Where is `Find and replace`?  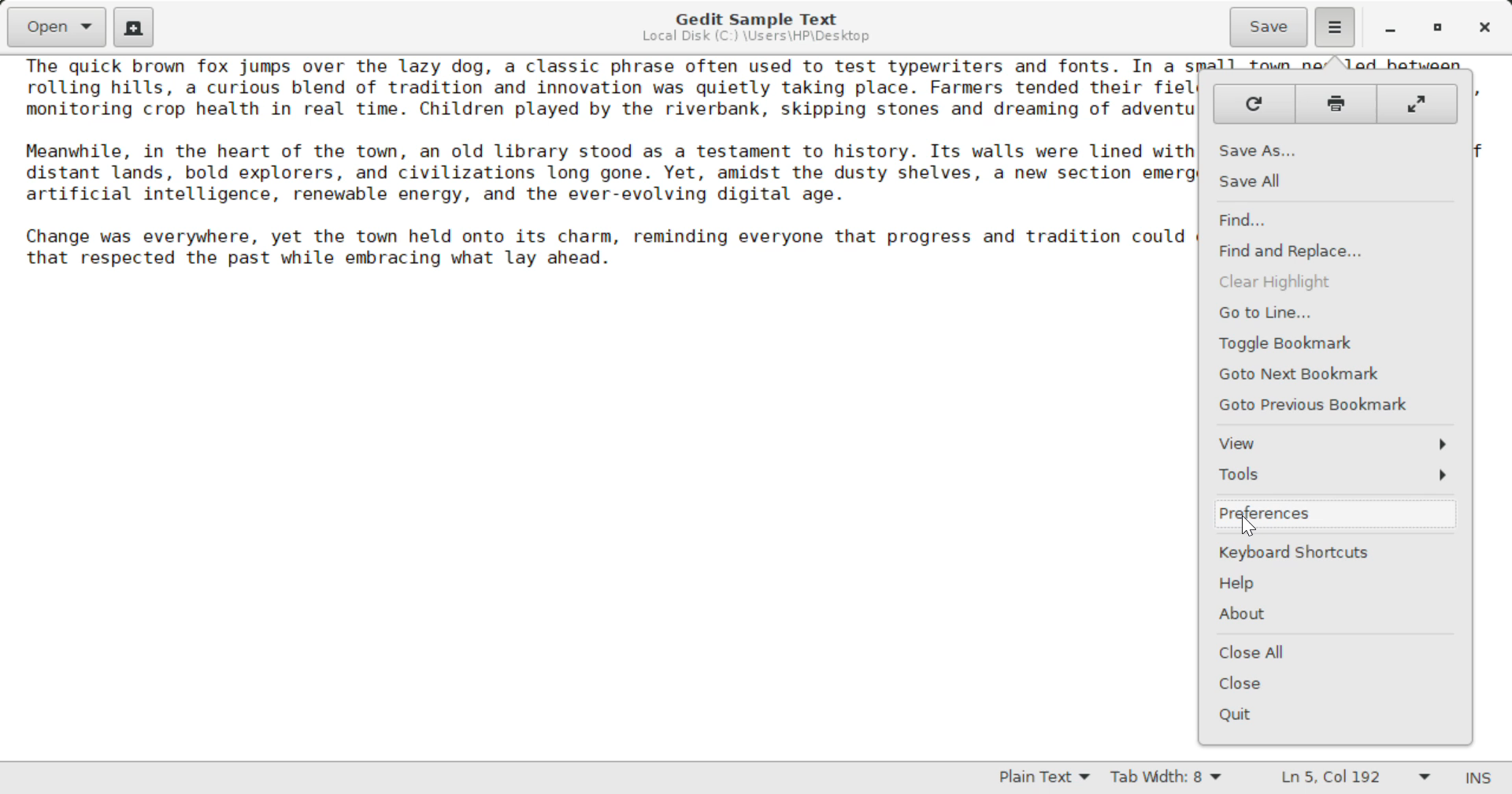
Find and replace is located at coordinates (1309, 249).